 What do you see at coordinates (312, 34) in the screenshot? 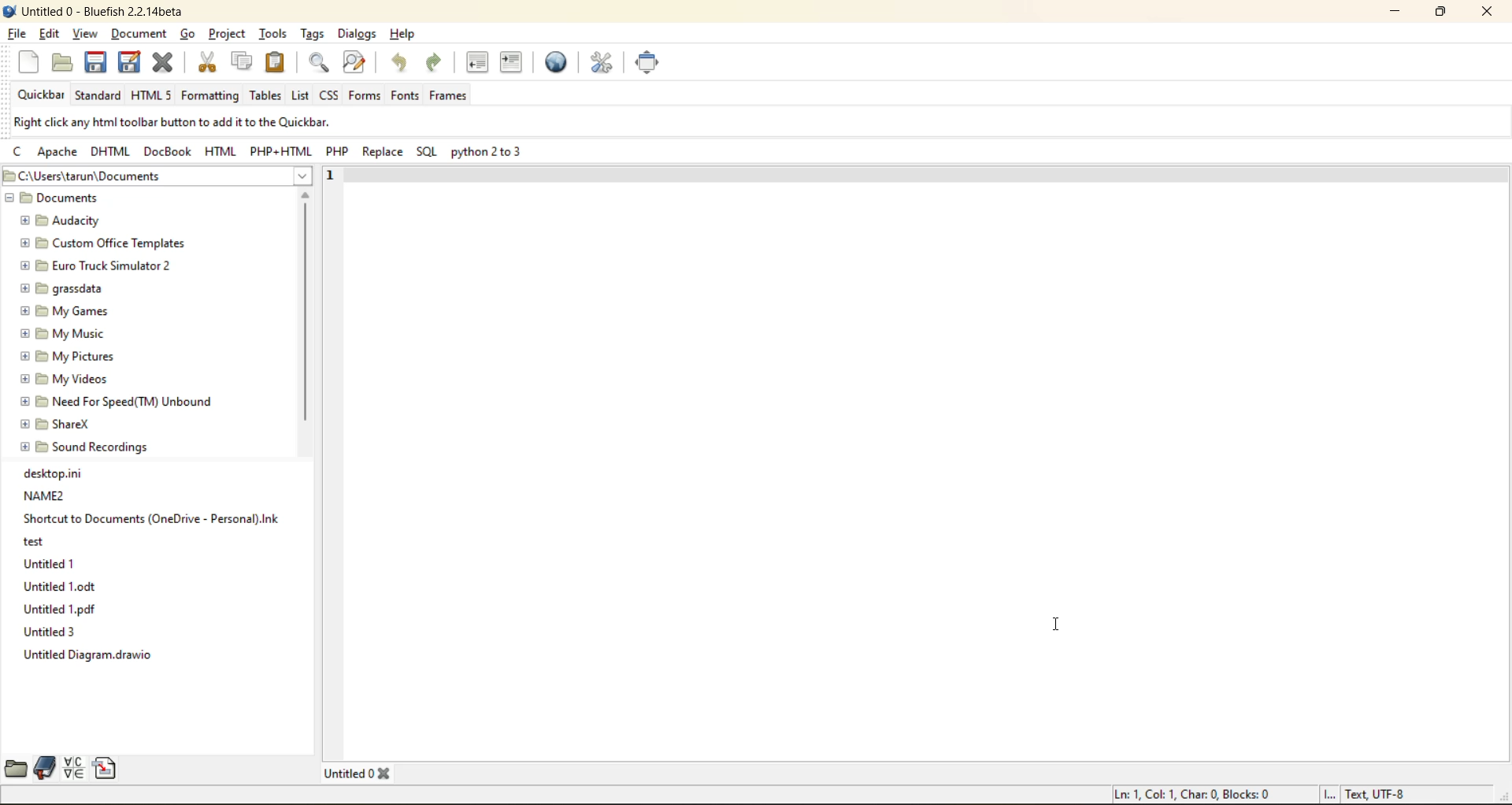
I see `tags` at bounding box center [312, 34].